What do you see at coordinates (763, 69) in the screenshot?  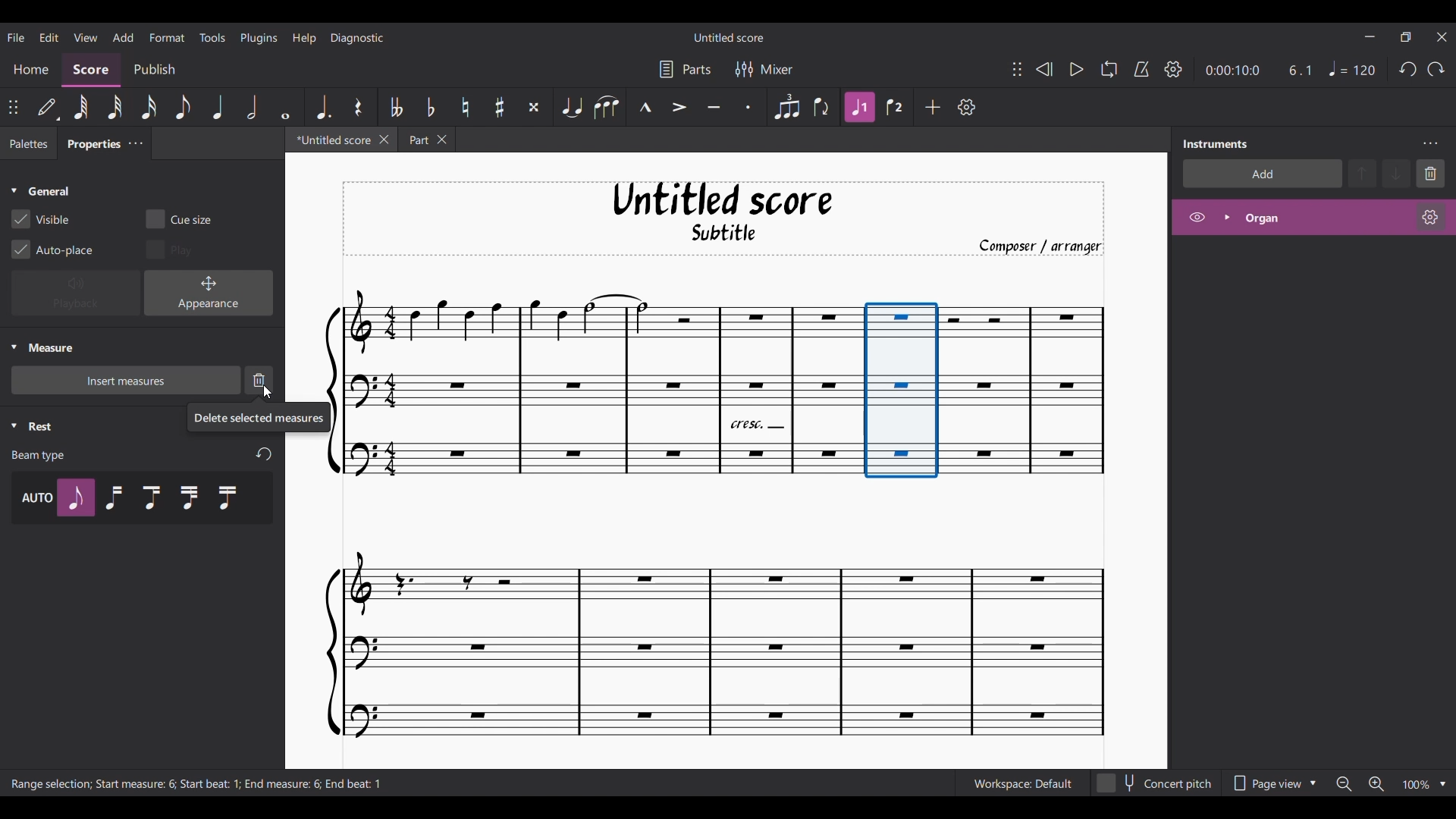 I see `Mixer settings` at bounding box center [763, 69].